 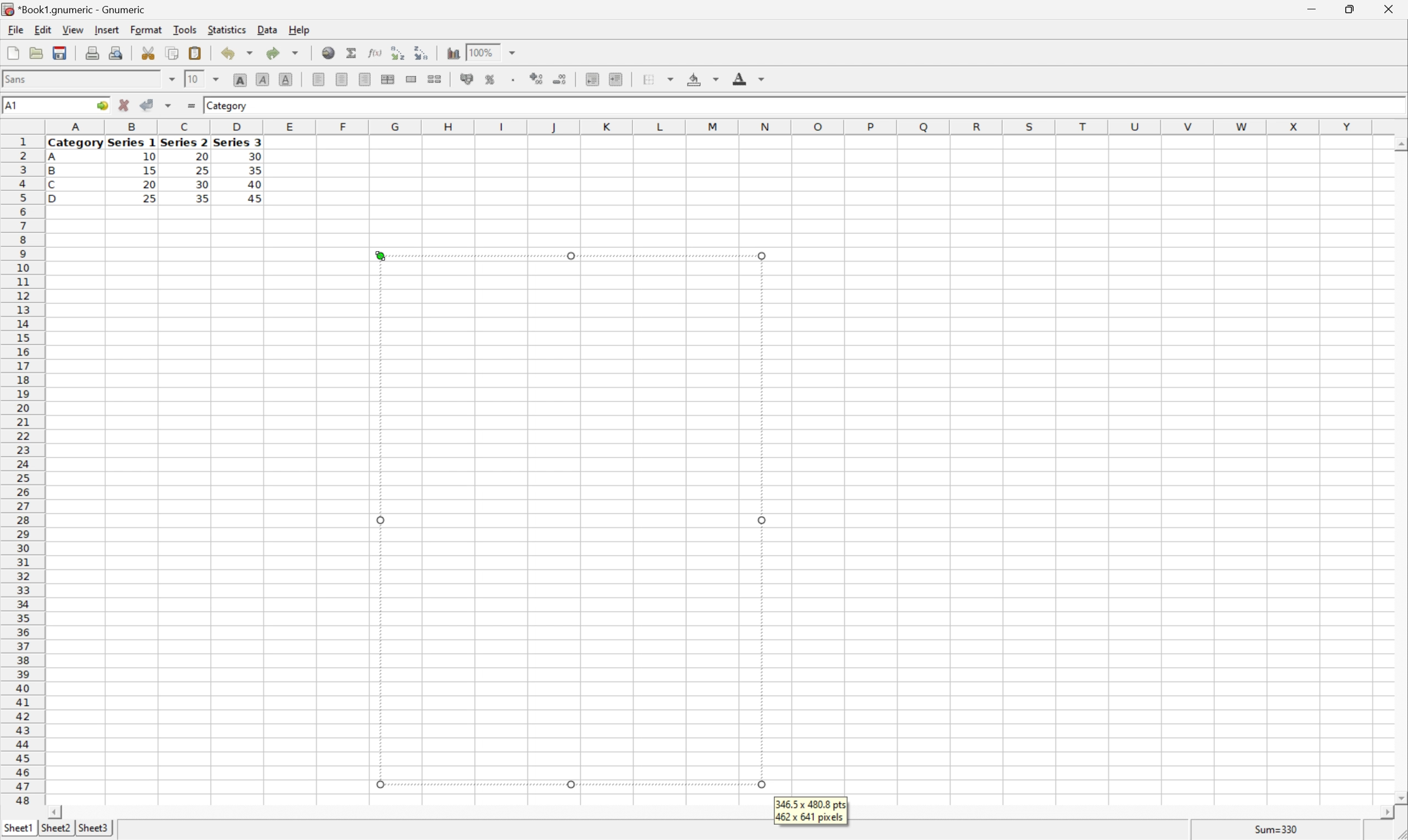 What do you see at coordinates (810, 811) in the screenshot?
I see `Chart Dimensions` at bounding box center [810, 811].